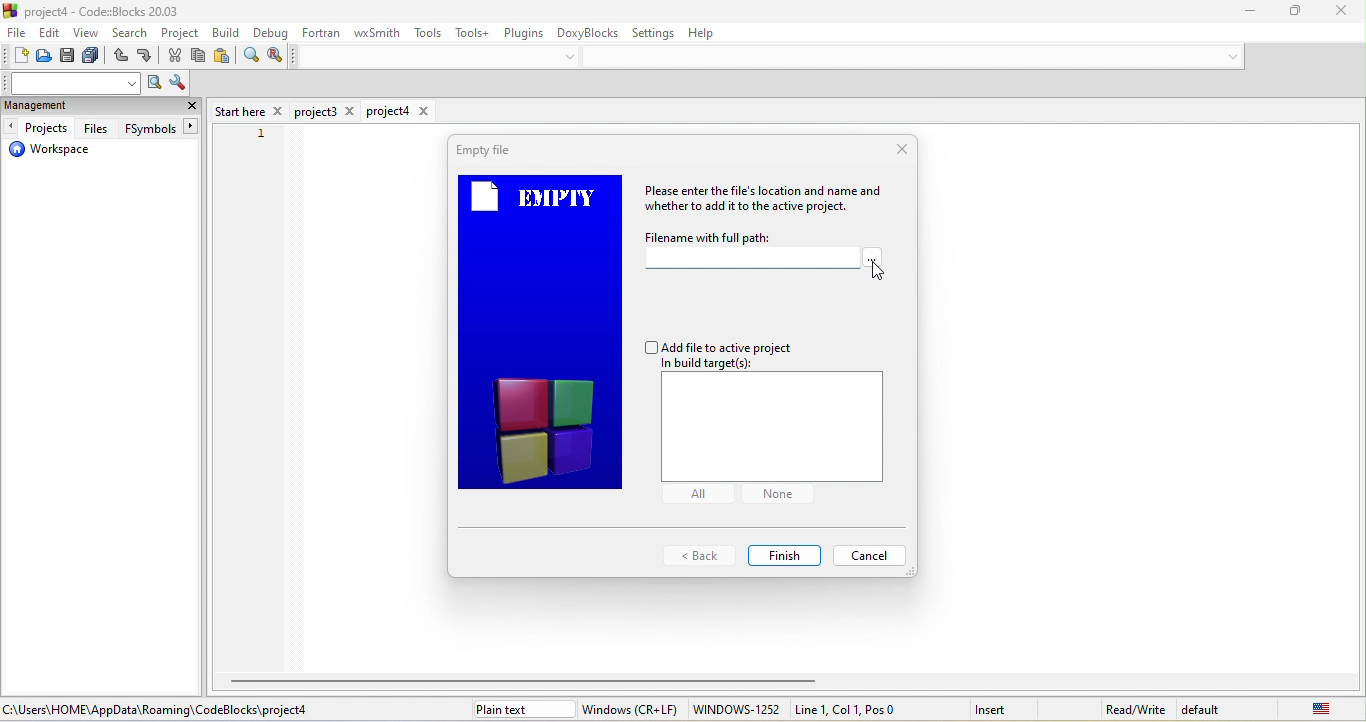  I want to click on none, so click(782, 496).